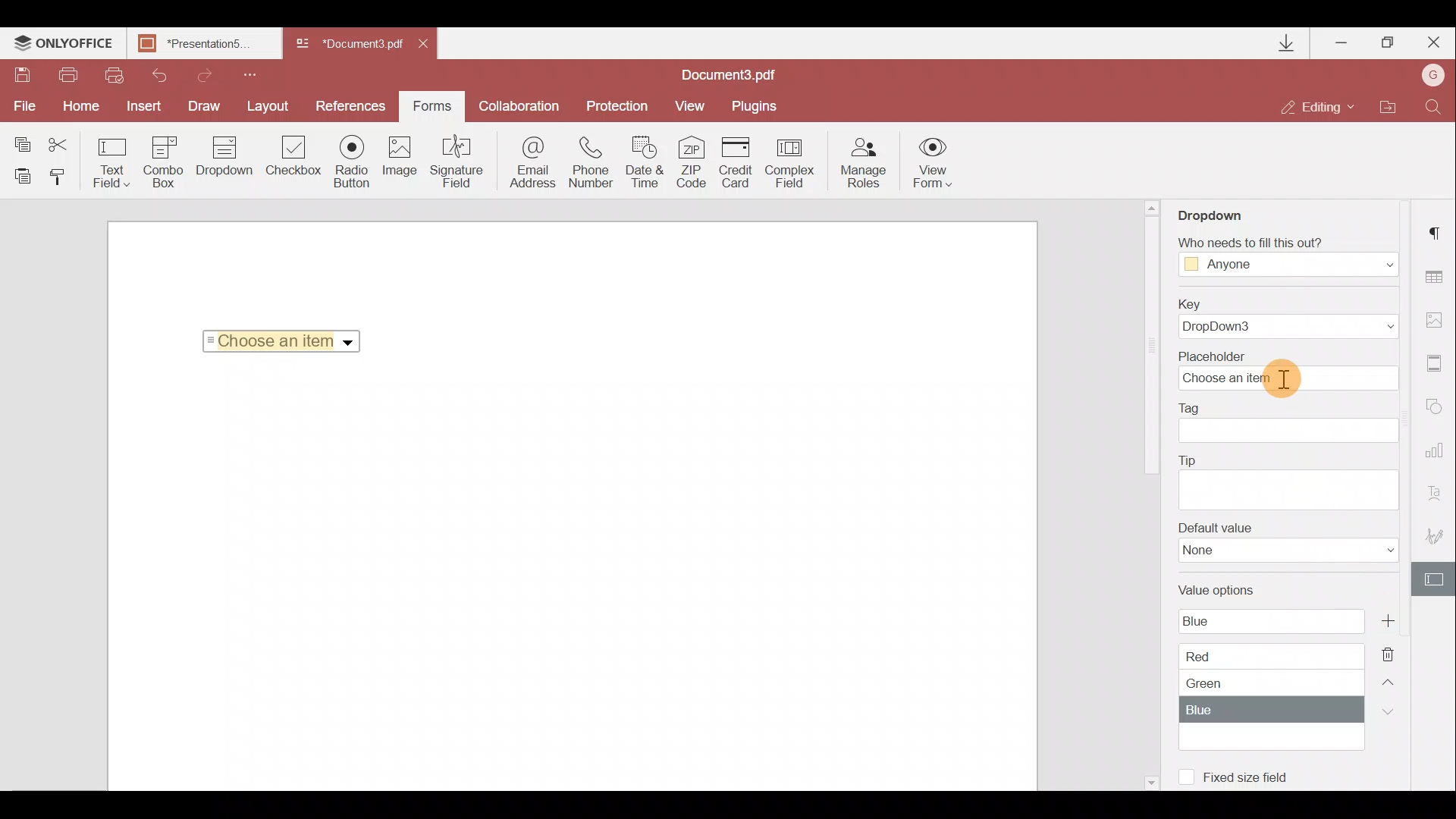  Describe the element at coordinates (1432, 43) in the screenshot. I see `Close` at that location.